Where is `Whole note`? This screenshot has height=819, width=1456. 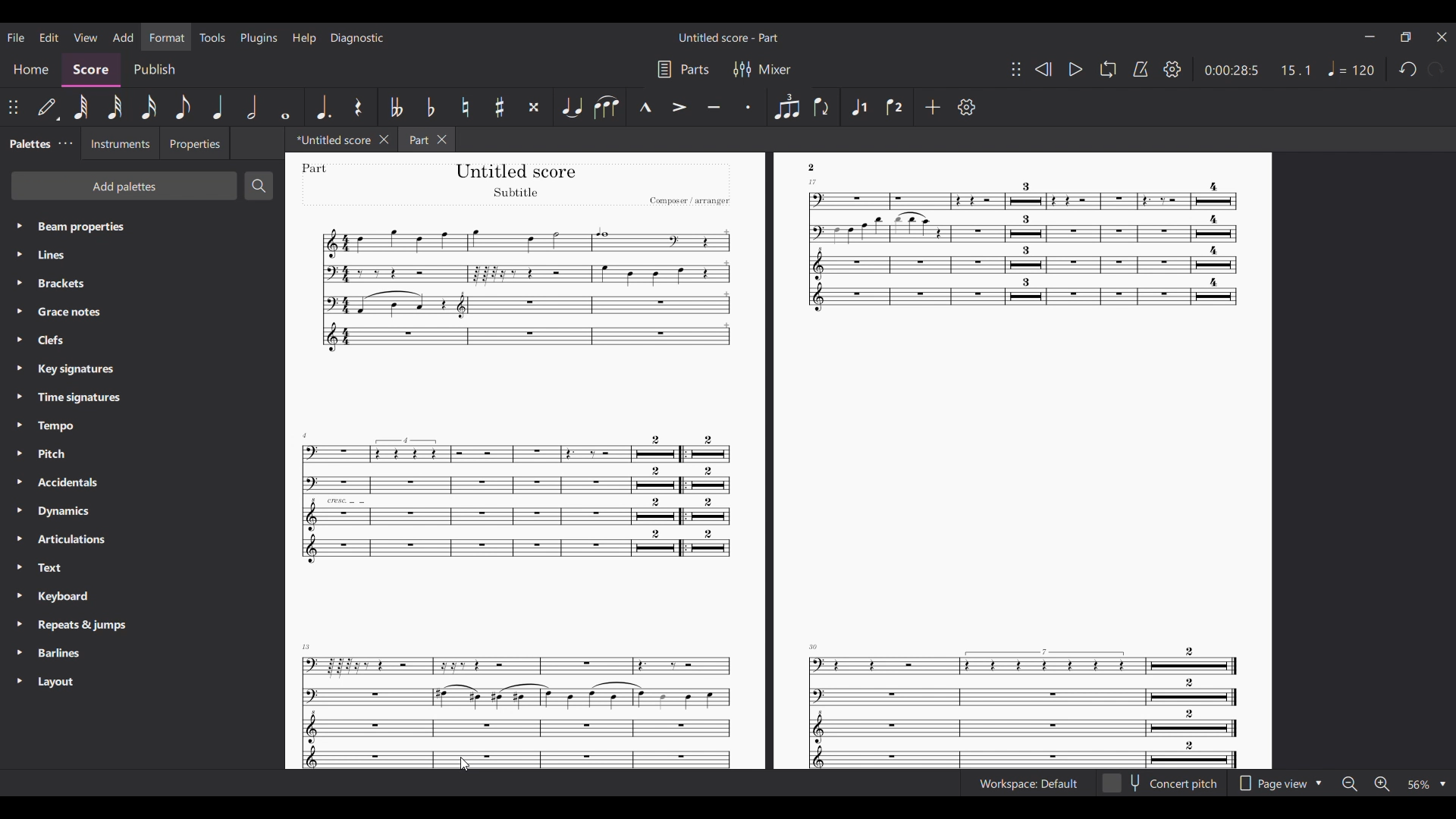 Whole note is located at coordinates (287, 107).